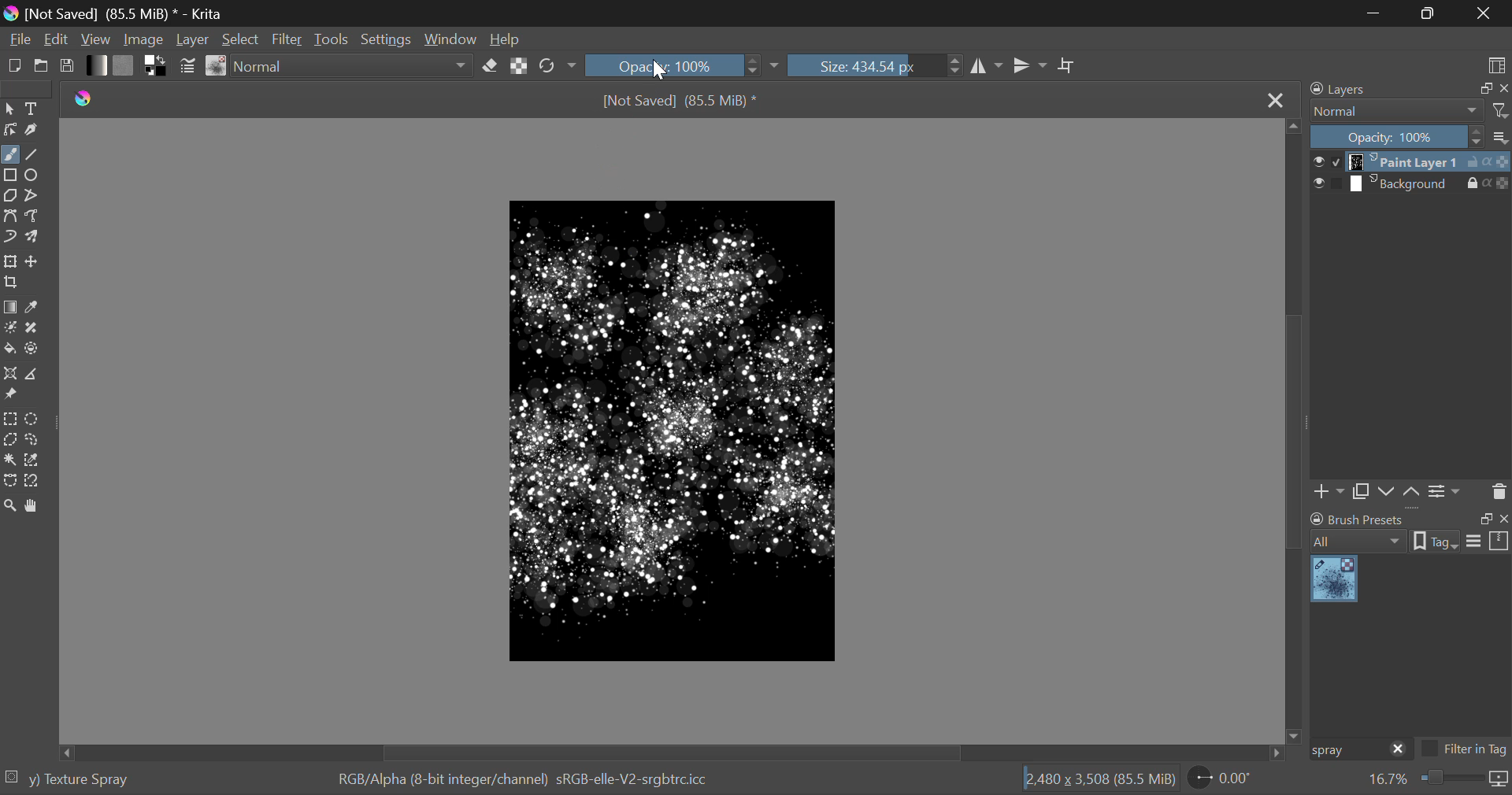 The height and width of the screenshot is (795, 1512). What do you see at coordinates (35, 107) in the screenshot?
I see `Text` at bounding box center [35, 107].